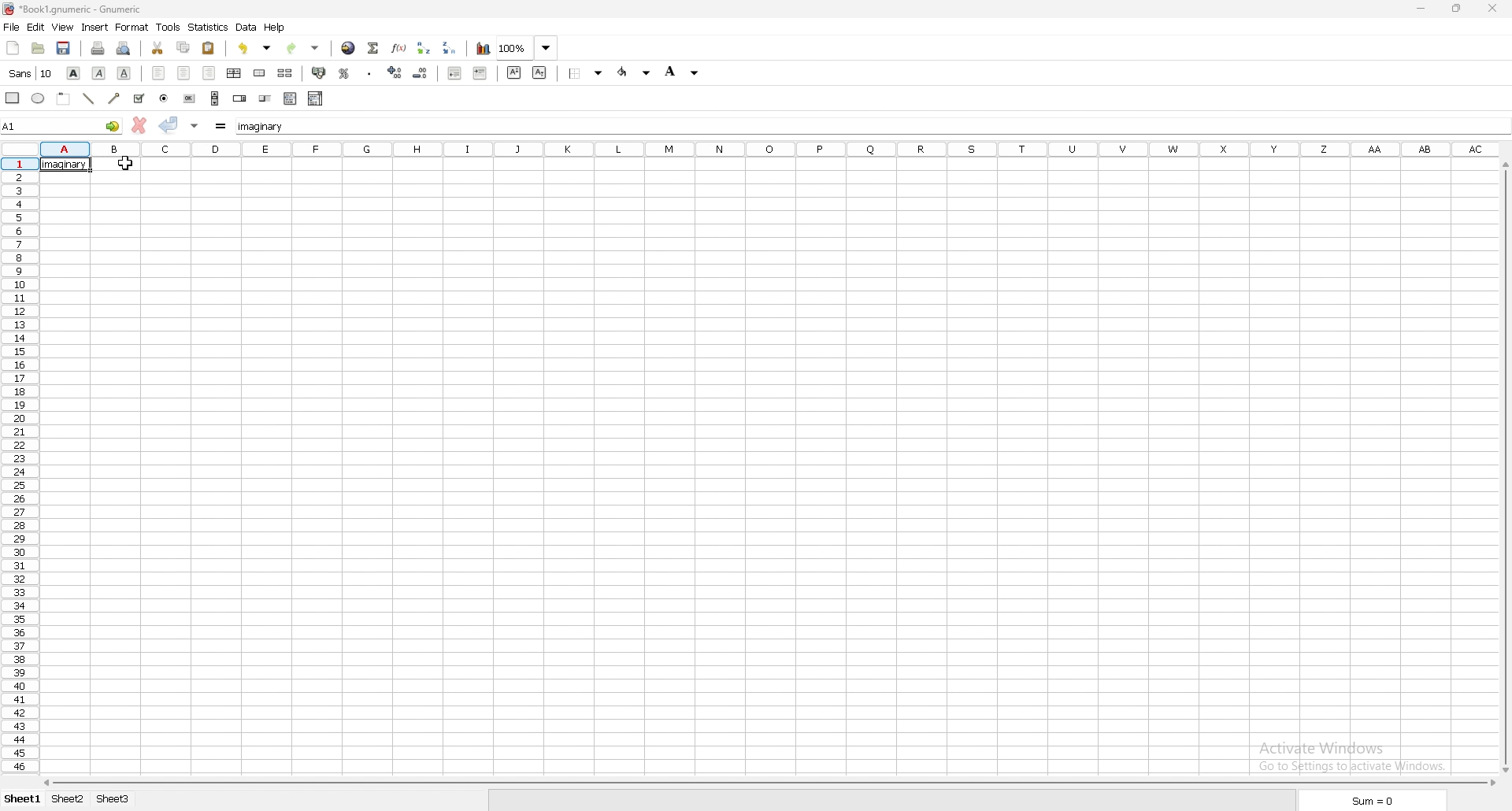 The height and width of the screenshot is (811, 1512). What do you see at coordinates (209, 72) in the screenshot?
I see `right align` at bounding box center [209, 72].